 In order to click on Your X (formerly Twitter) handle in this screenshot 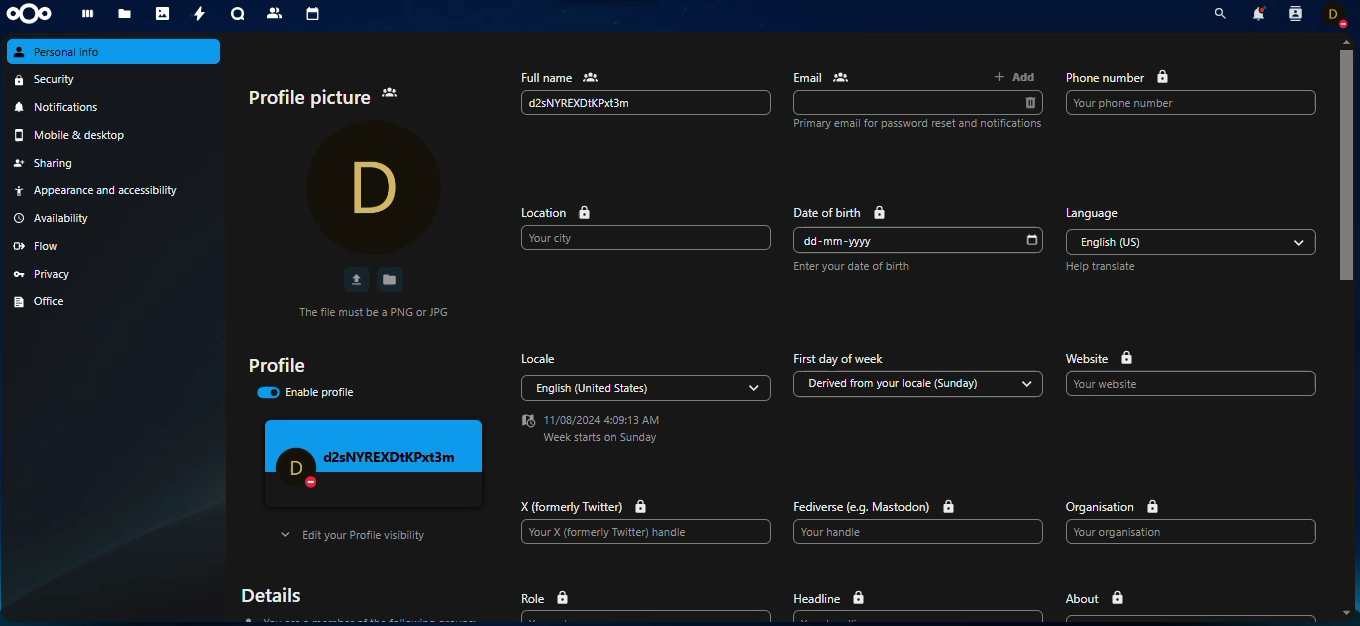, I will do `click(645, 532)`.